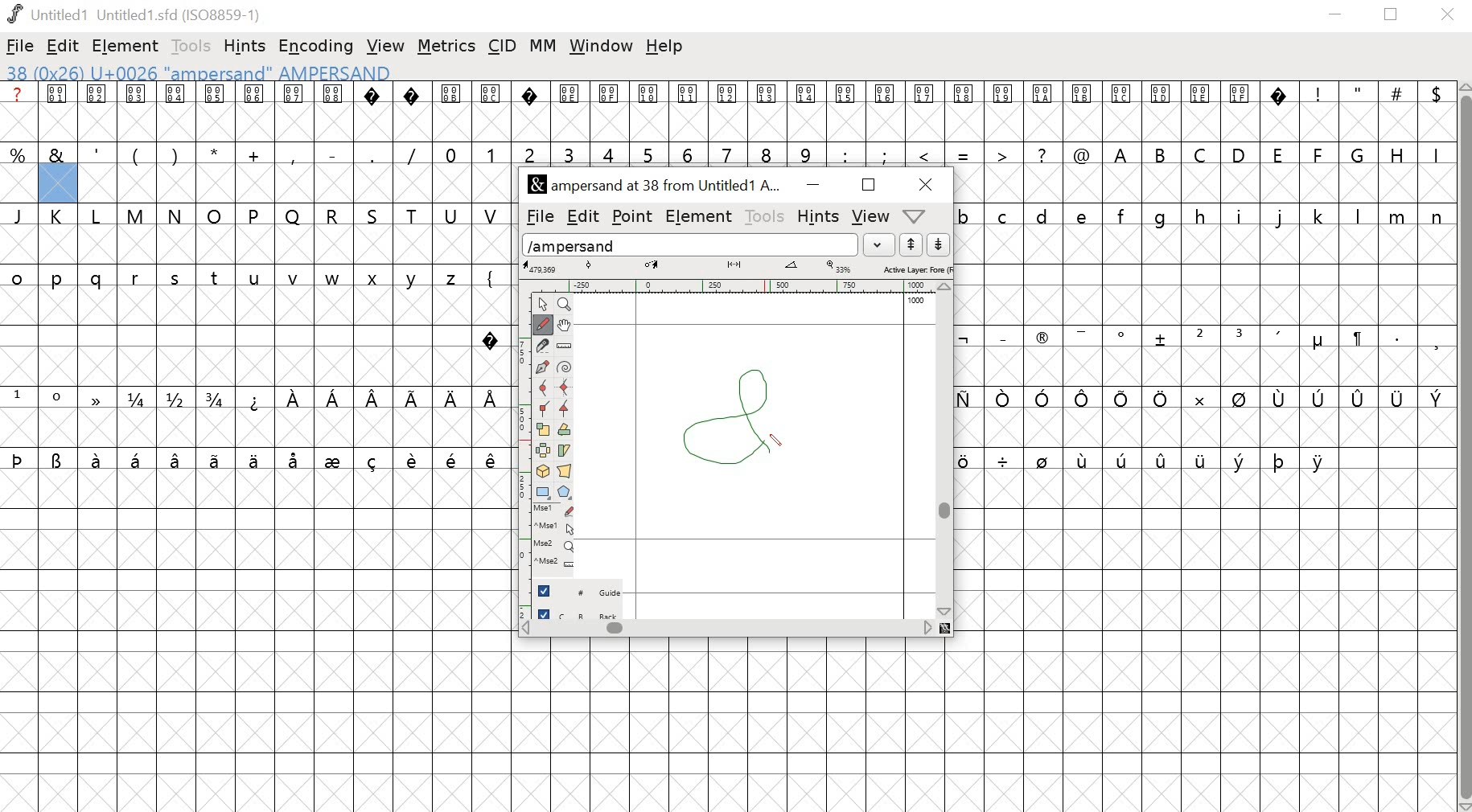 The height and width of the screenshot is (812, 1472). I want to click on add a curve point always either vertically or horizontally, so click(566, 388).